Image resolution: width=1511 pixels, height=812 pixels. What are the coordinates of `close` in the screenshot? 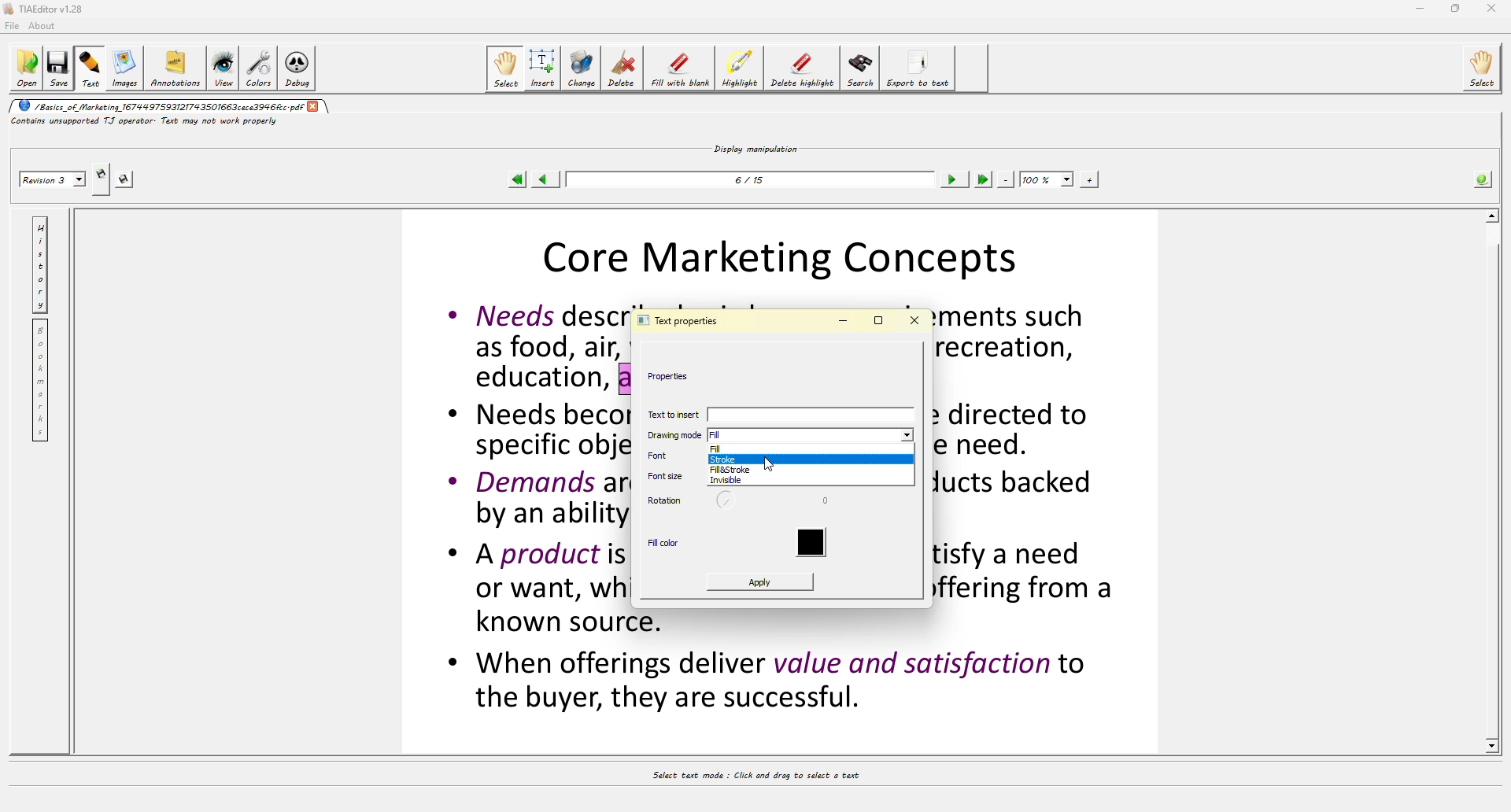 It's located at (1493, 7).